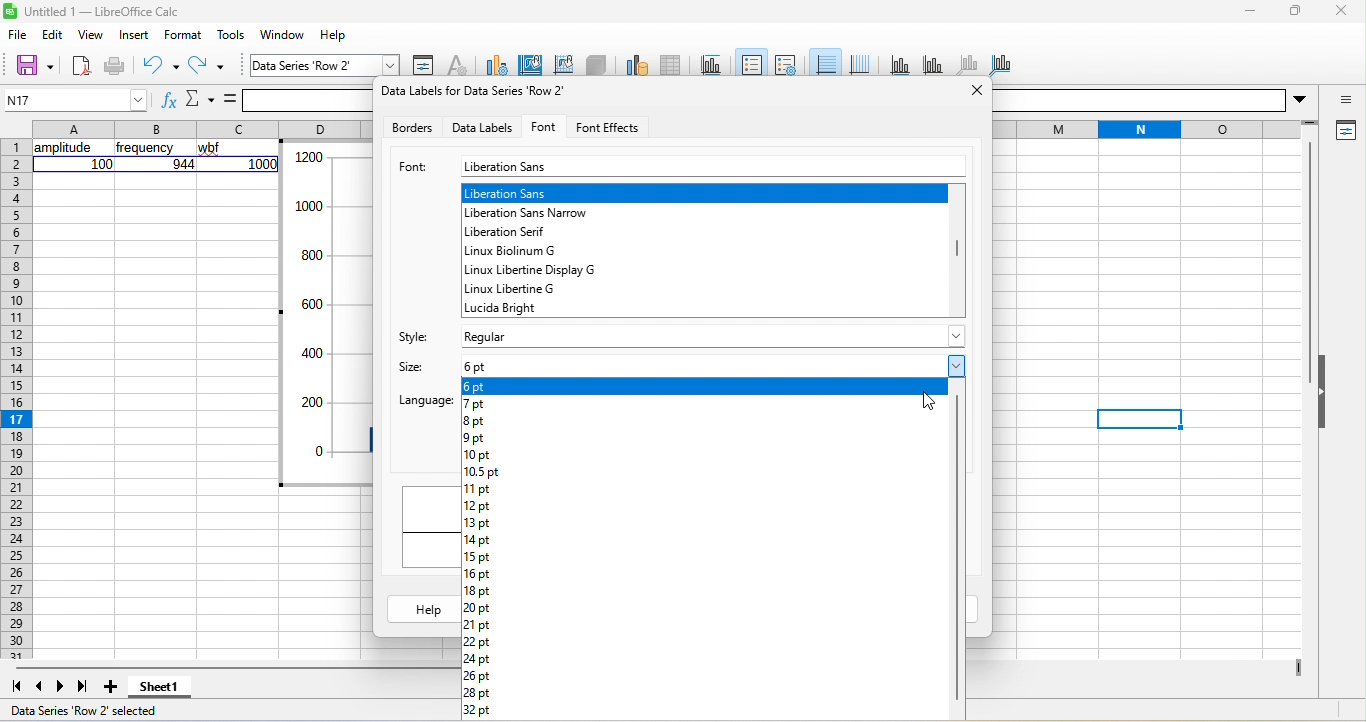  Describe the element at coordinates (230, 35) in the screenshot. I see `tools` at that location.